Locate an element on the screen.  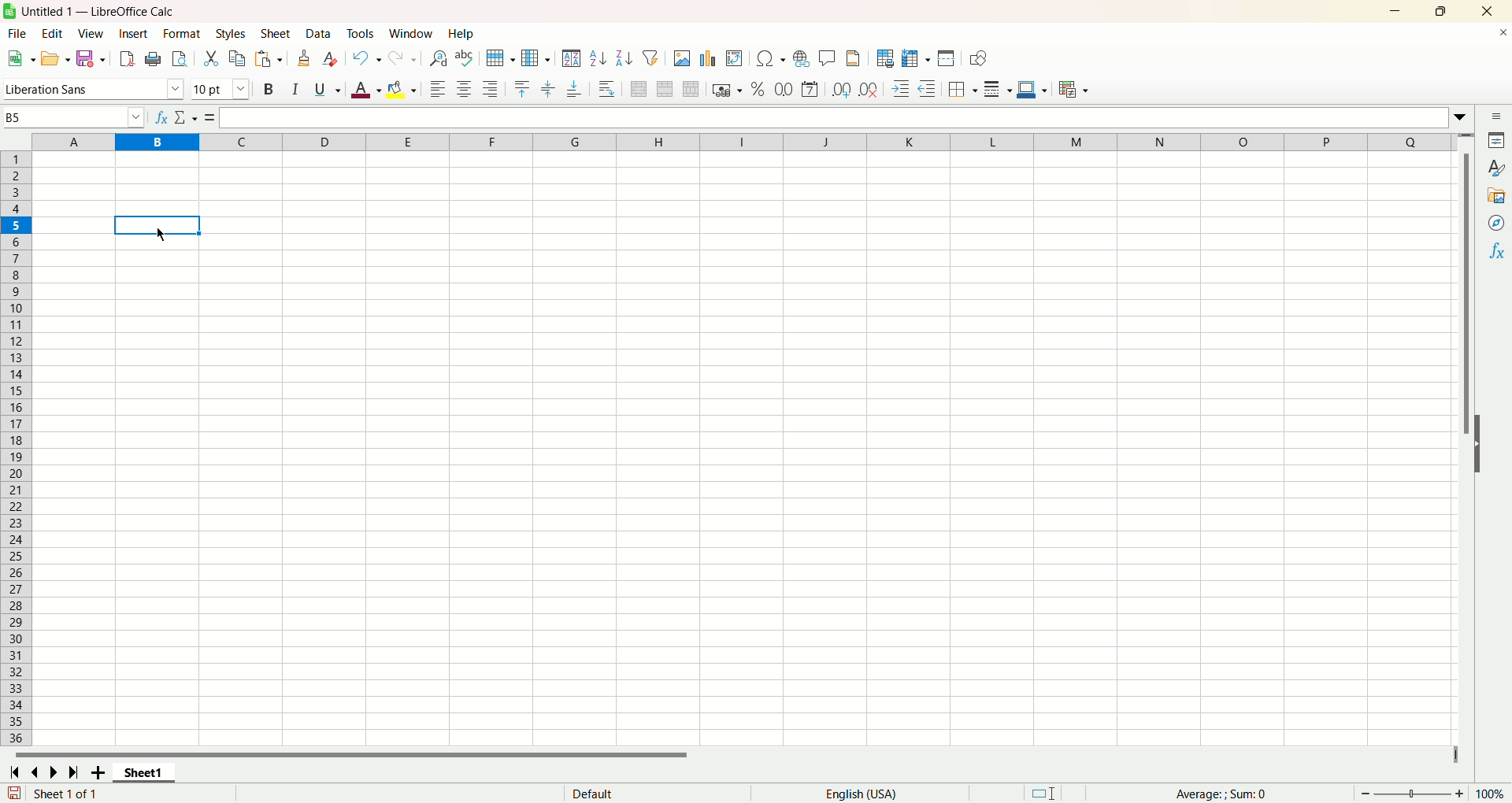
standard selection is located at coordinates (1045, 794).